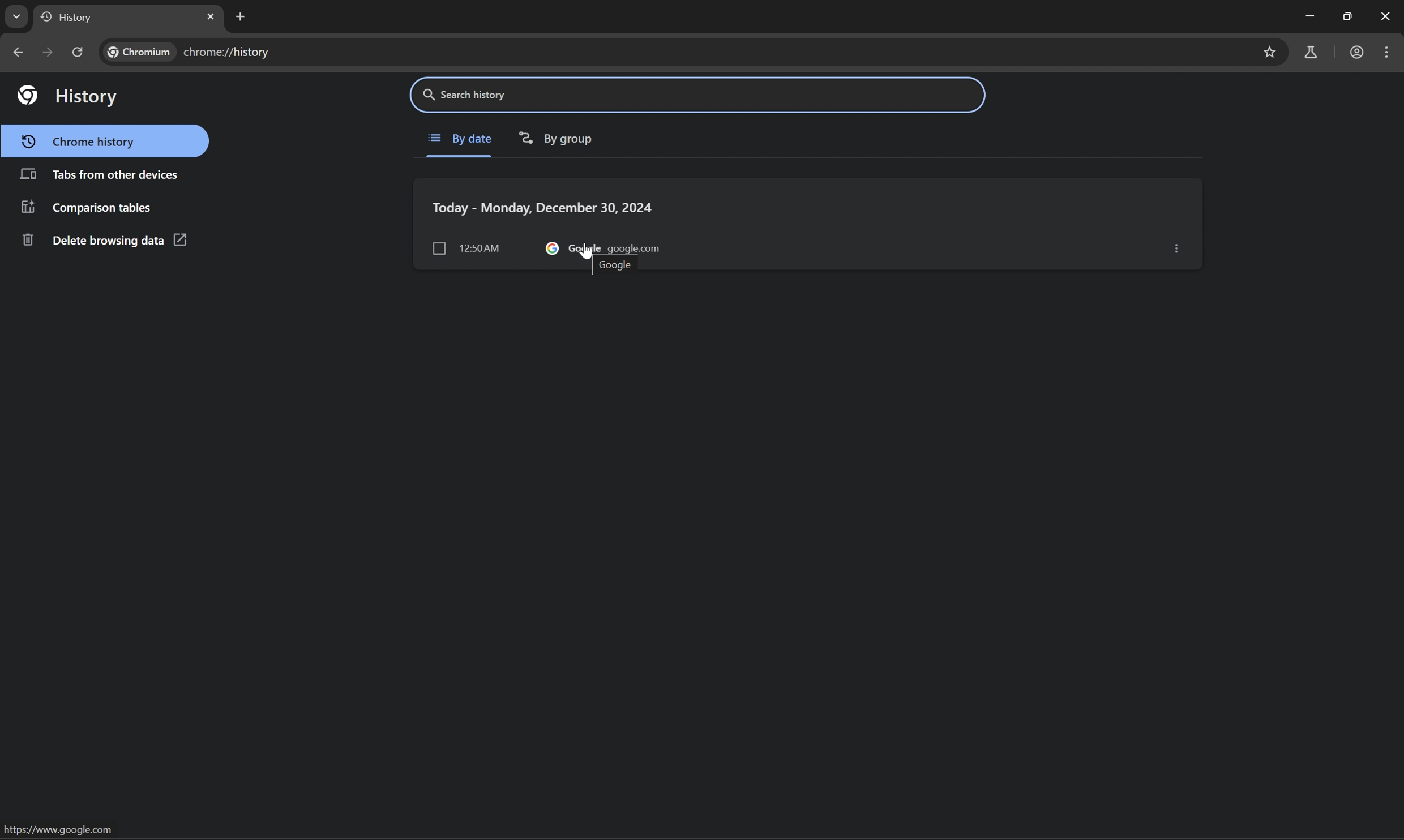 The image size is (1404, 840). What do you see at coordinates (557, 139) in the screenshot?
I see `By group` at bounding box center [557, 139].